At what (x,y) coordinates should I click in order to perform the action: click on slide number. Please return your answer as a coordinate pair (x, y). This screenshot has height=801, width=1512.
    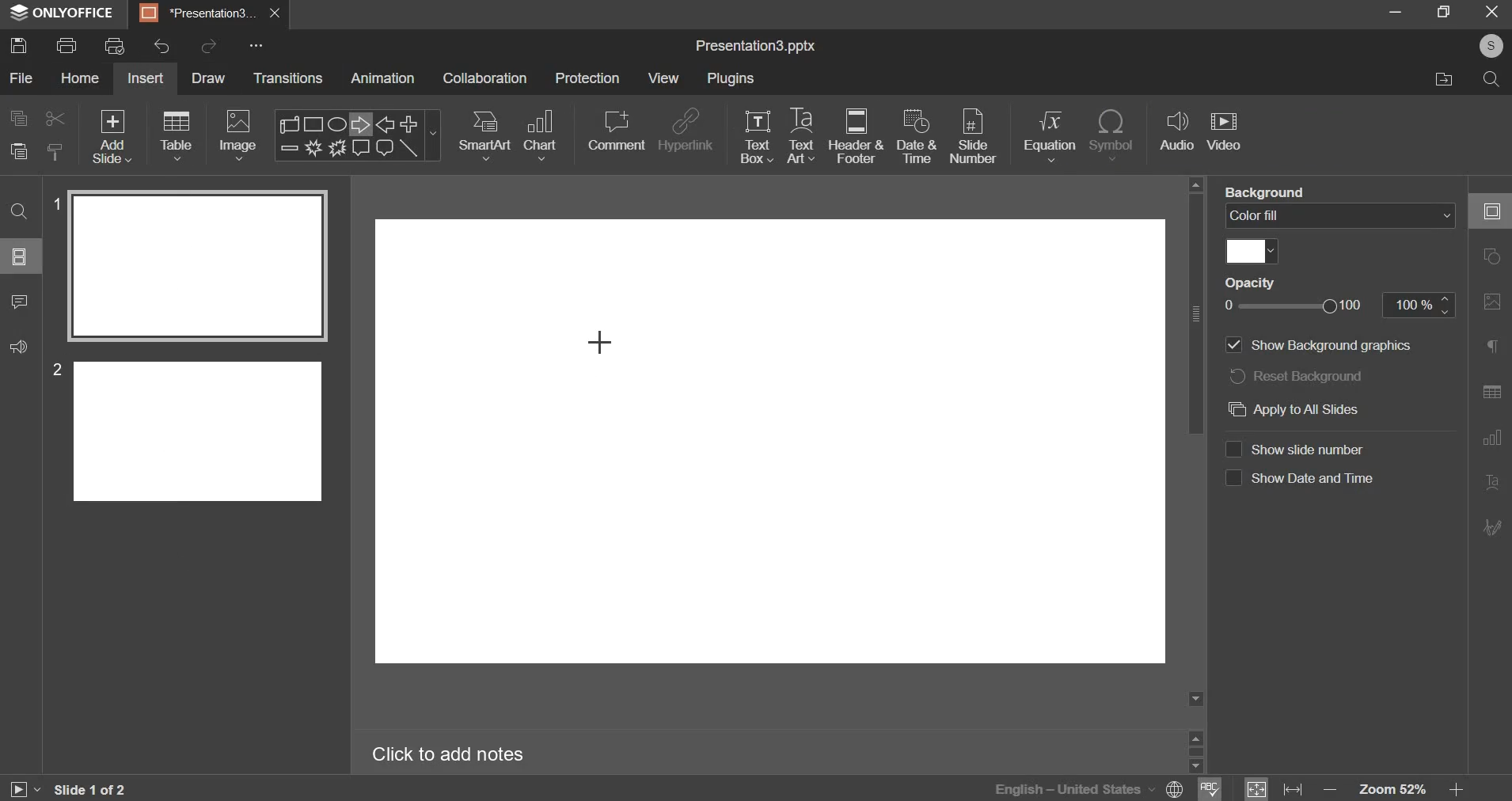
    Looking at the image, I should click on (1301, 449).